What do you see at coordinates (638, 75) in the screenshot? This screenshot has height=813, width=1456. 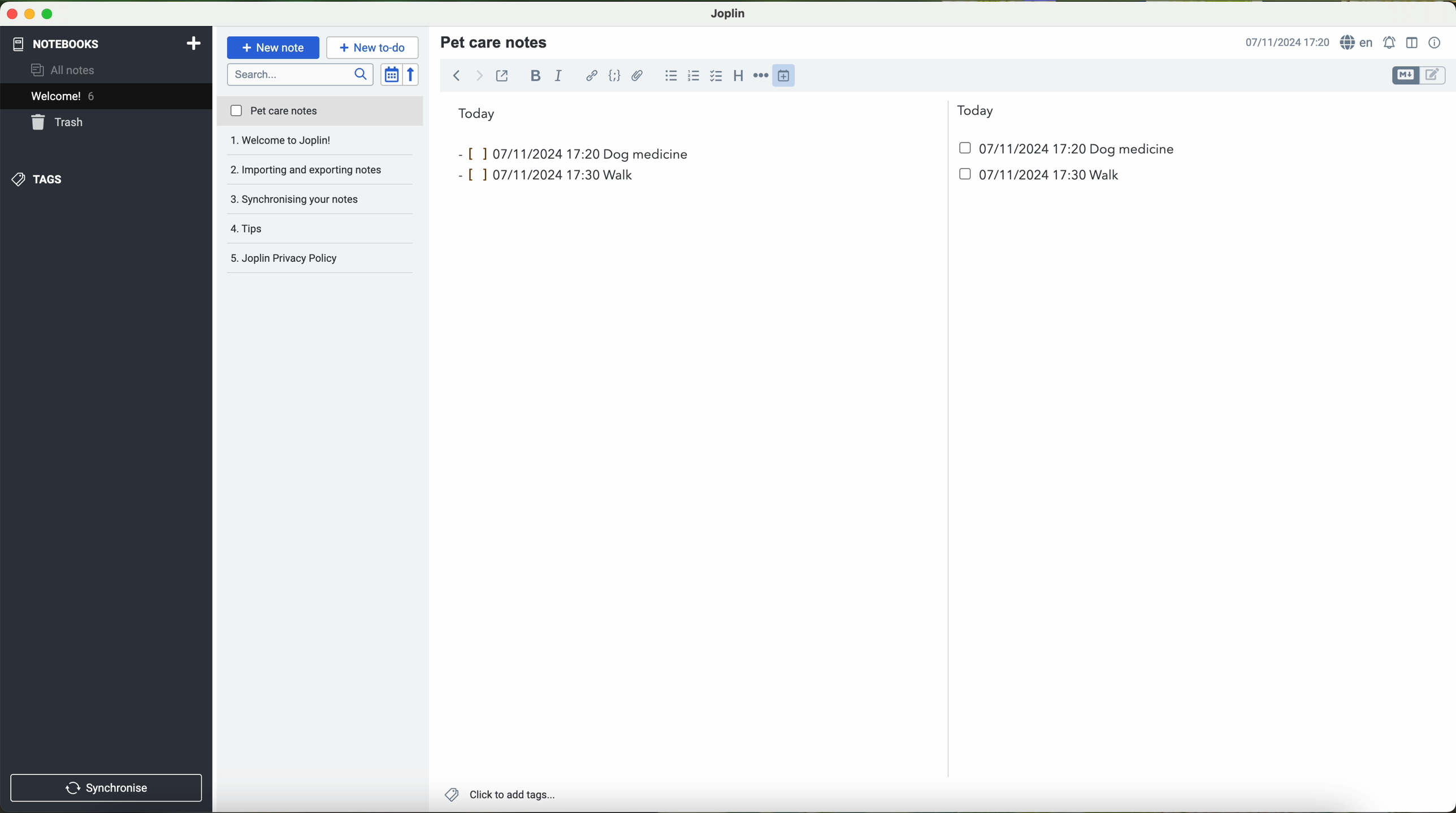 I see `attach file` at bounding box center [638, 75].